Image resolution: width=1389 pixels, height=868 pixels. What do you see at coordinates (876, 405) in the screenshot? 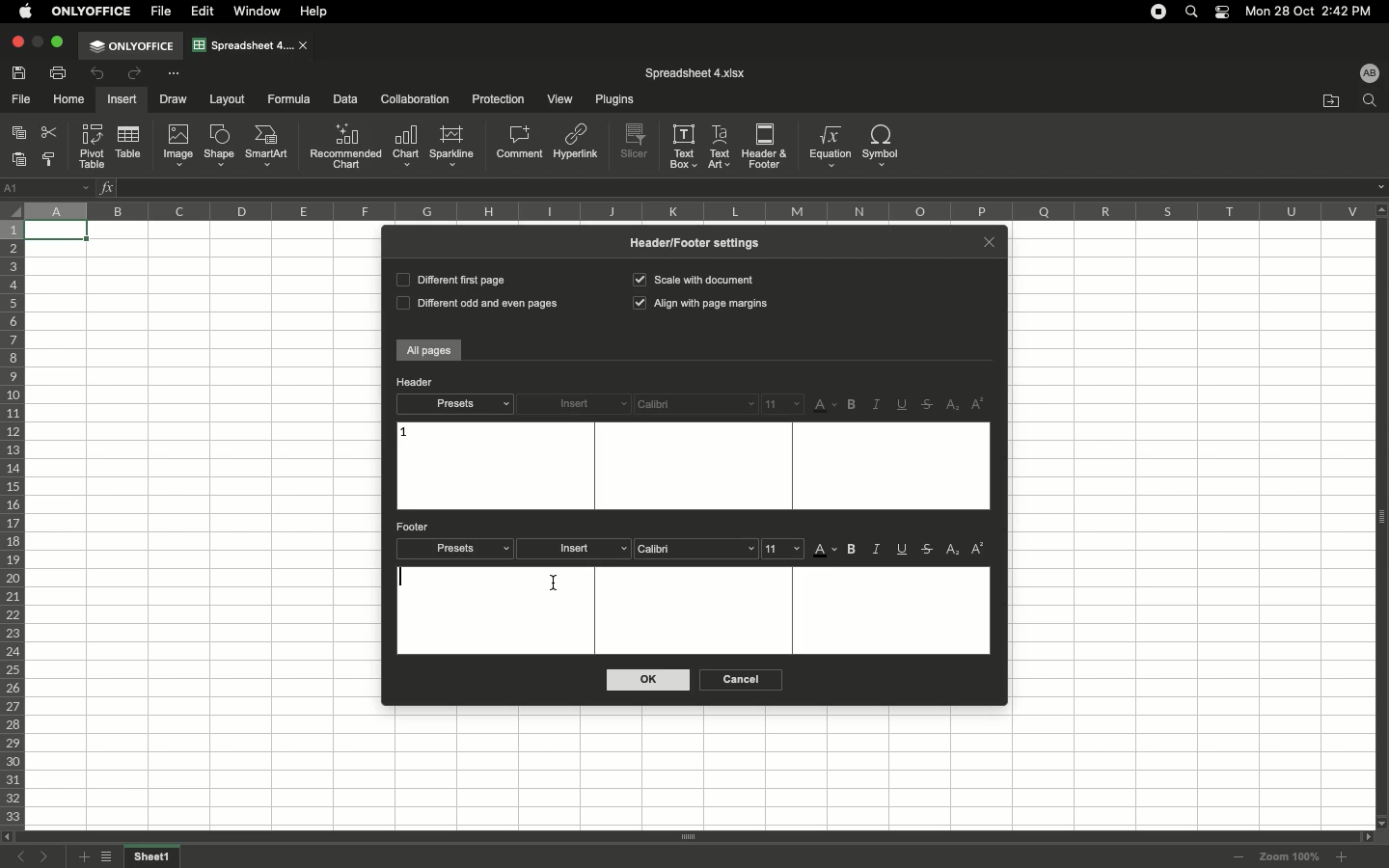
I see `Italics` at bounding box center [876, 405].